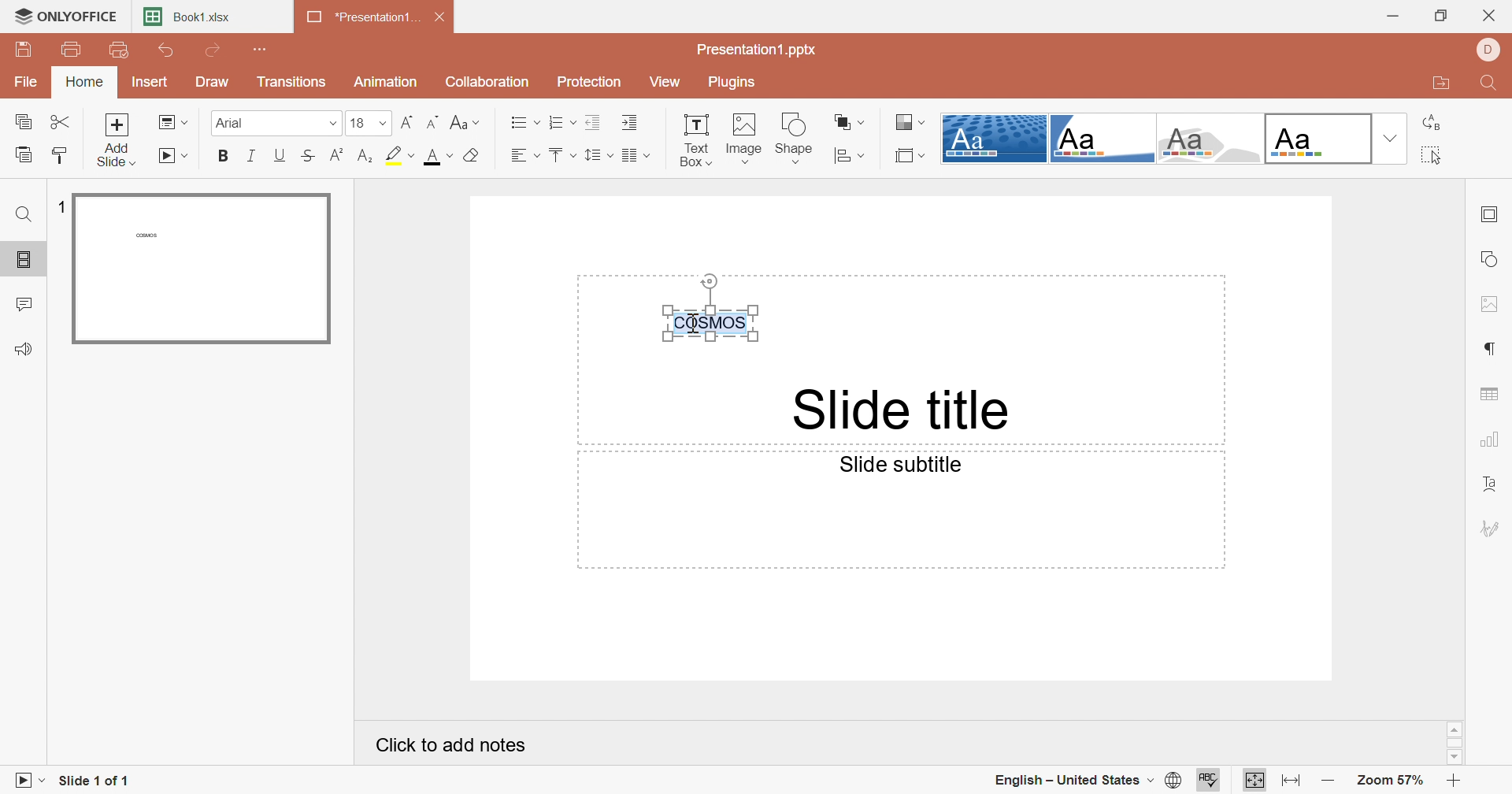 Image resolution: width=1512 pixels, height=794 pixels. I want to click on Underline, so click(279, 156).